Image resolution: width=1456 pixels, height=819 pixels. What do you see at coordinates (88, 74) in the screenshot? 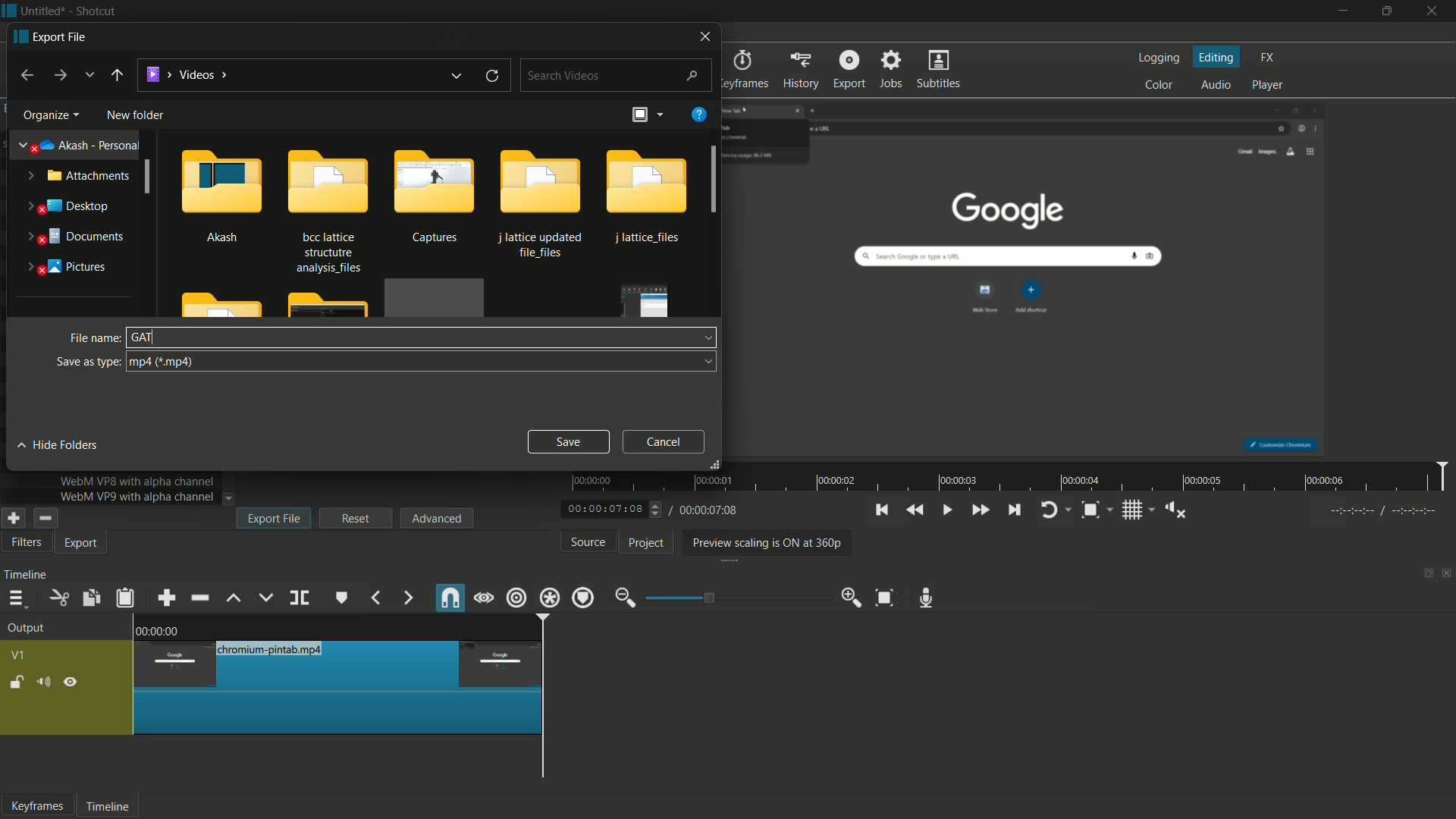
I see `recent locations` at bounding box center [88, 74].